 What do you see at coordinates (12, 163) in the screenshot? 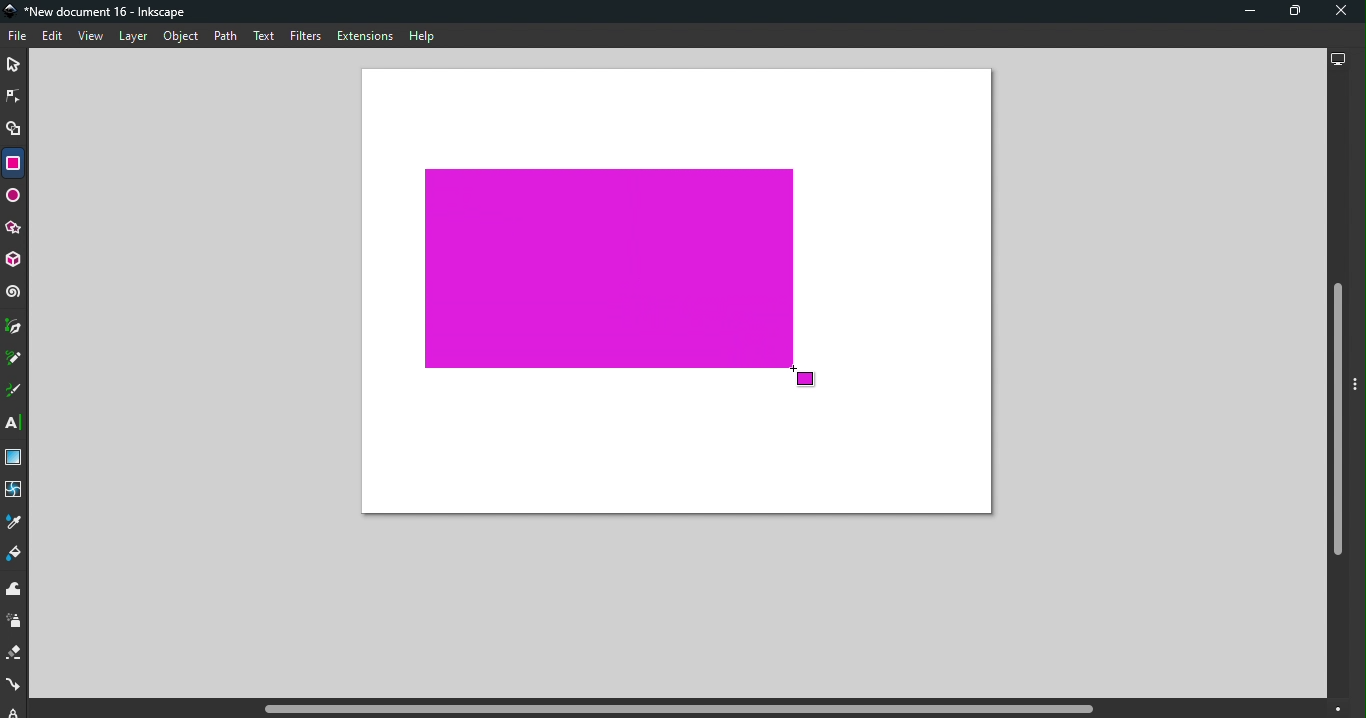
I see `Rectangle tool` at bounding box center [12, 163].